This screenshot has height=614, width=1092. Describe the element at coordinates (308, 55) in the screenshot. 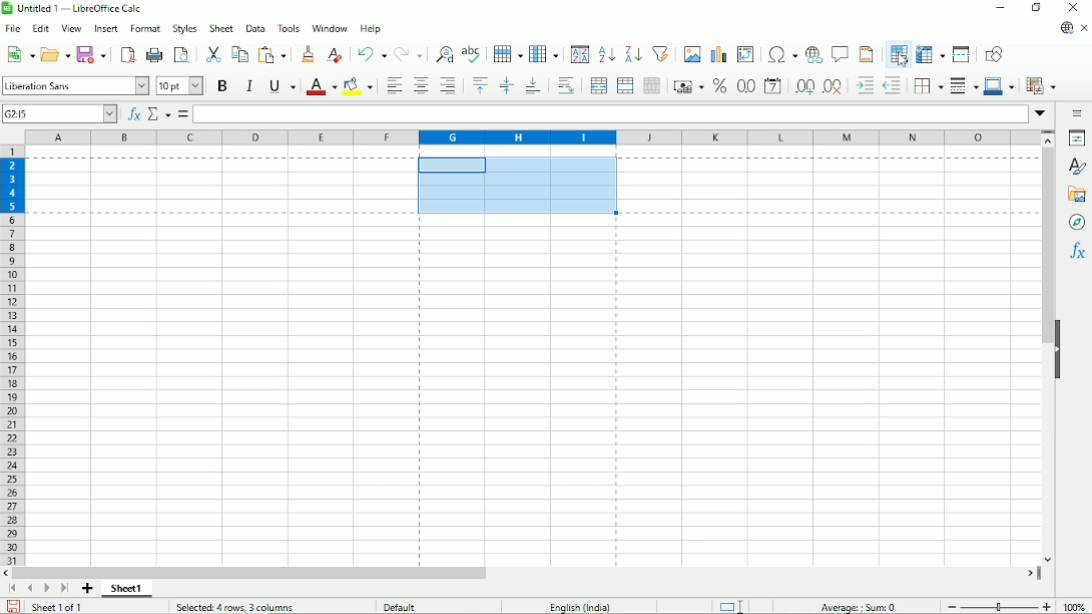

I see `Clone formatting` at that location.